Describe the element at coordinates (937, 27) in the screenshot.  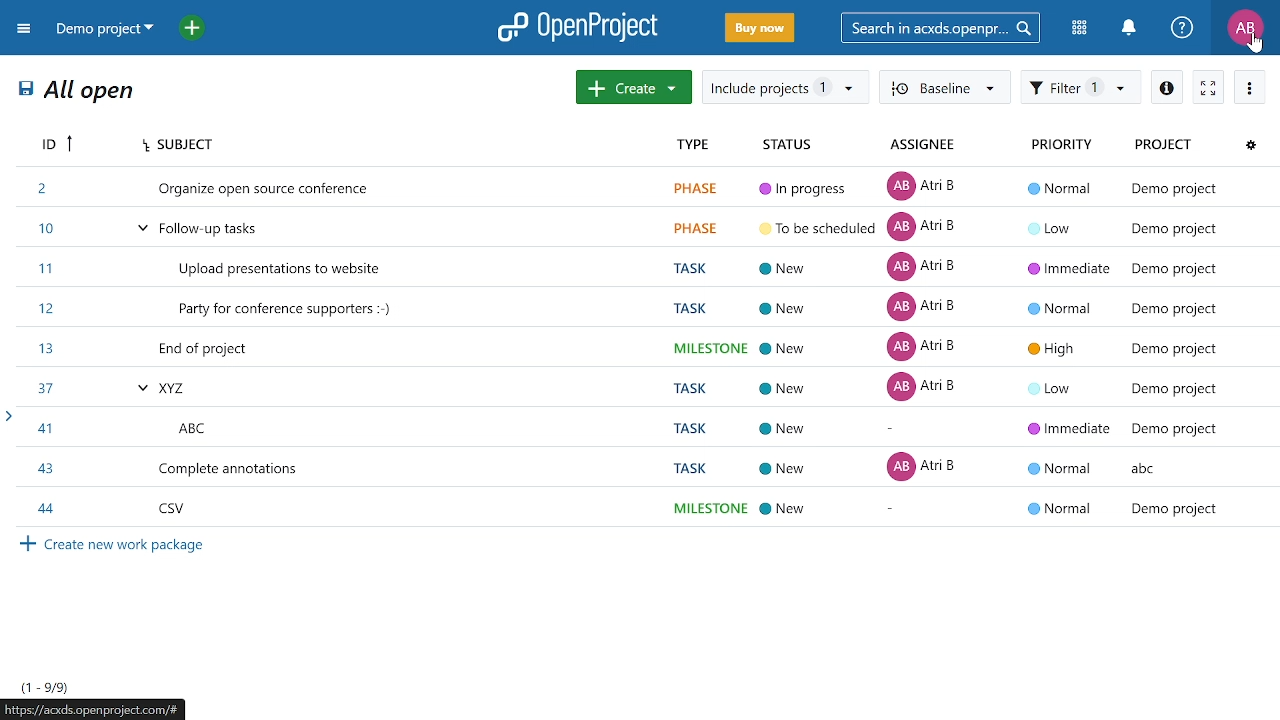
I see `search` at that location.